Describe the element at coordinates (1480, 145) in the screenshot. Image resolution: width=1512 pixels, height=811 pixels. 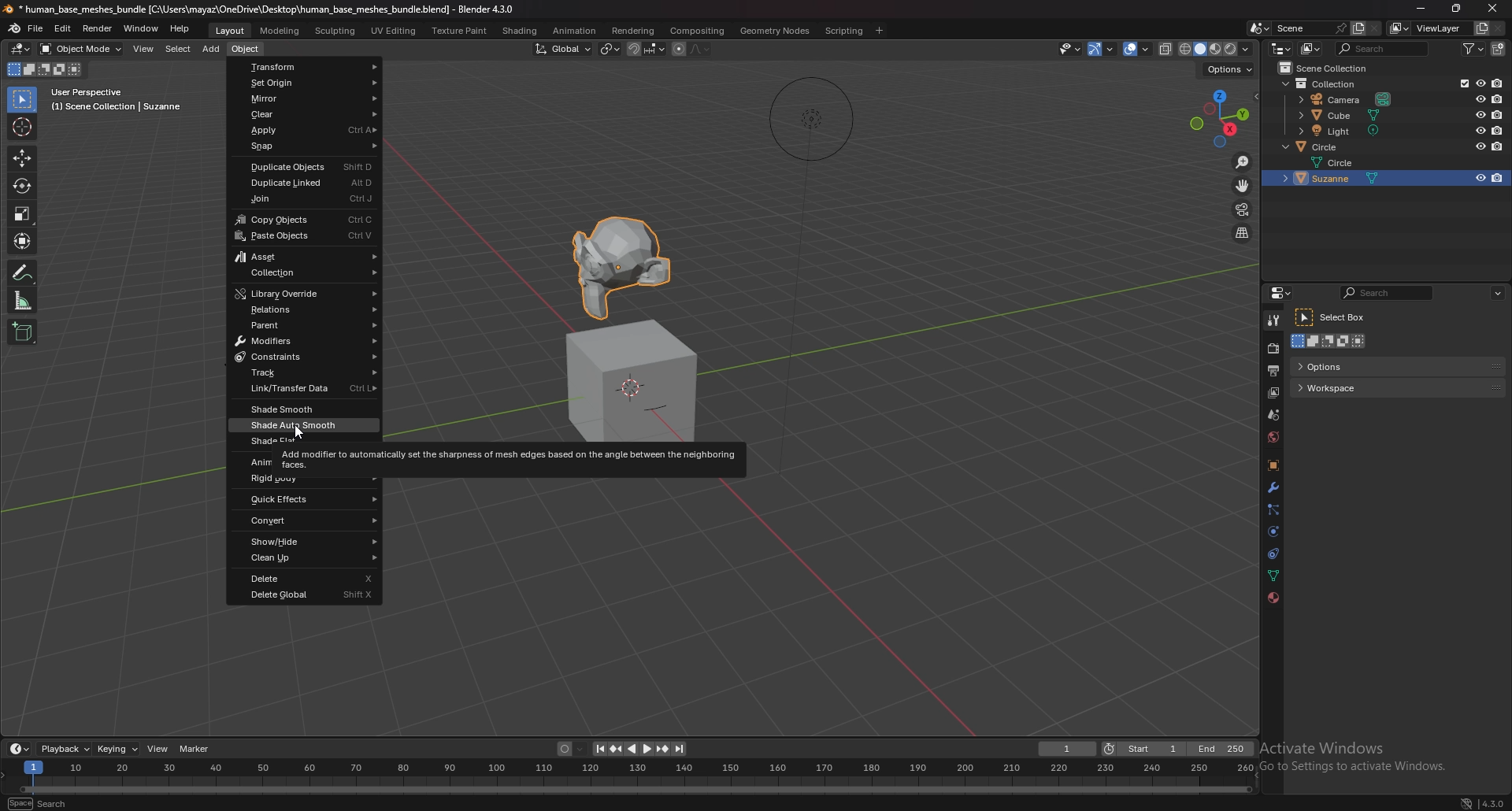
I see `hide in viewport` at that location.